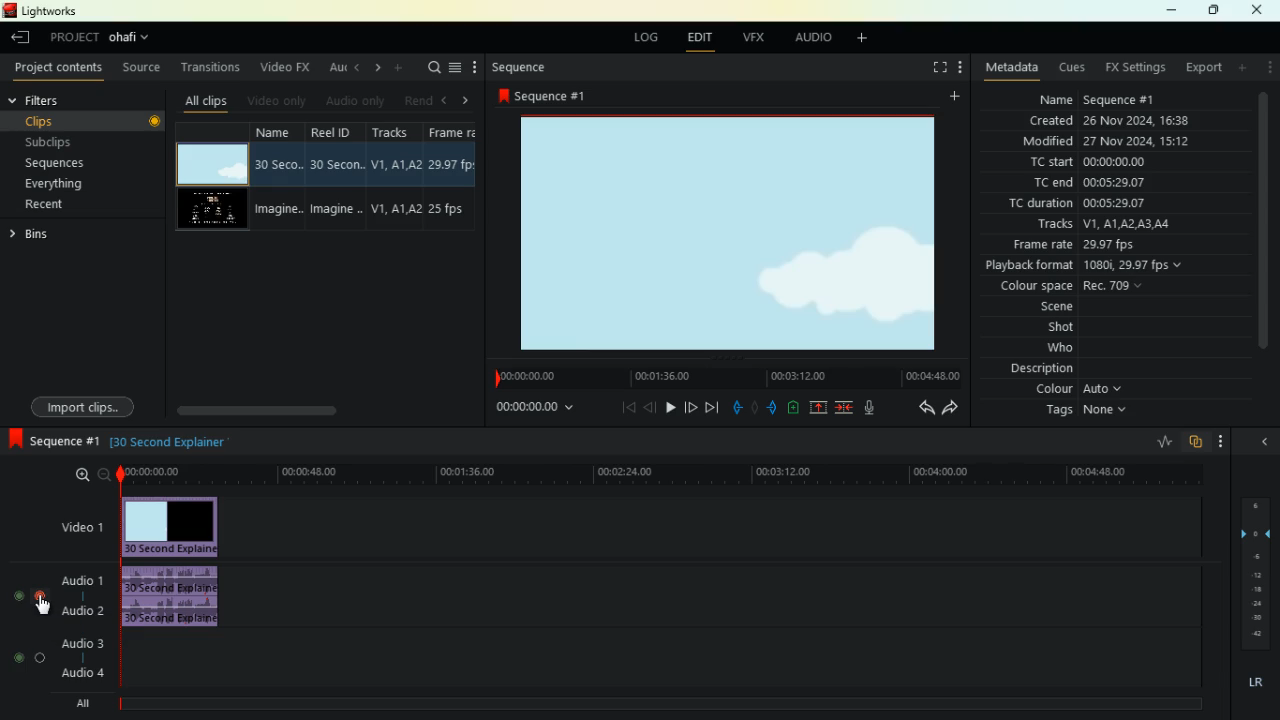 This screenshot has width=1280, height=720. I want to click on image, so click(719, 233).